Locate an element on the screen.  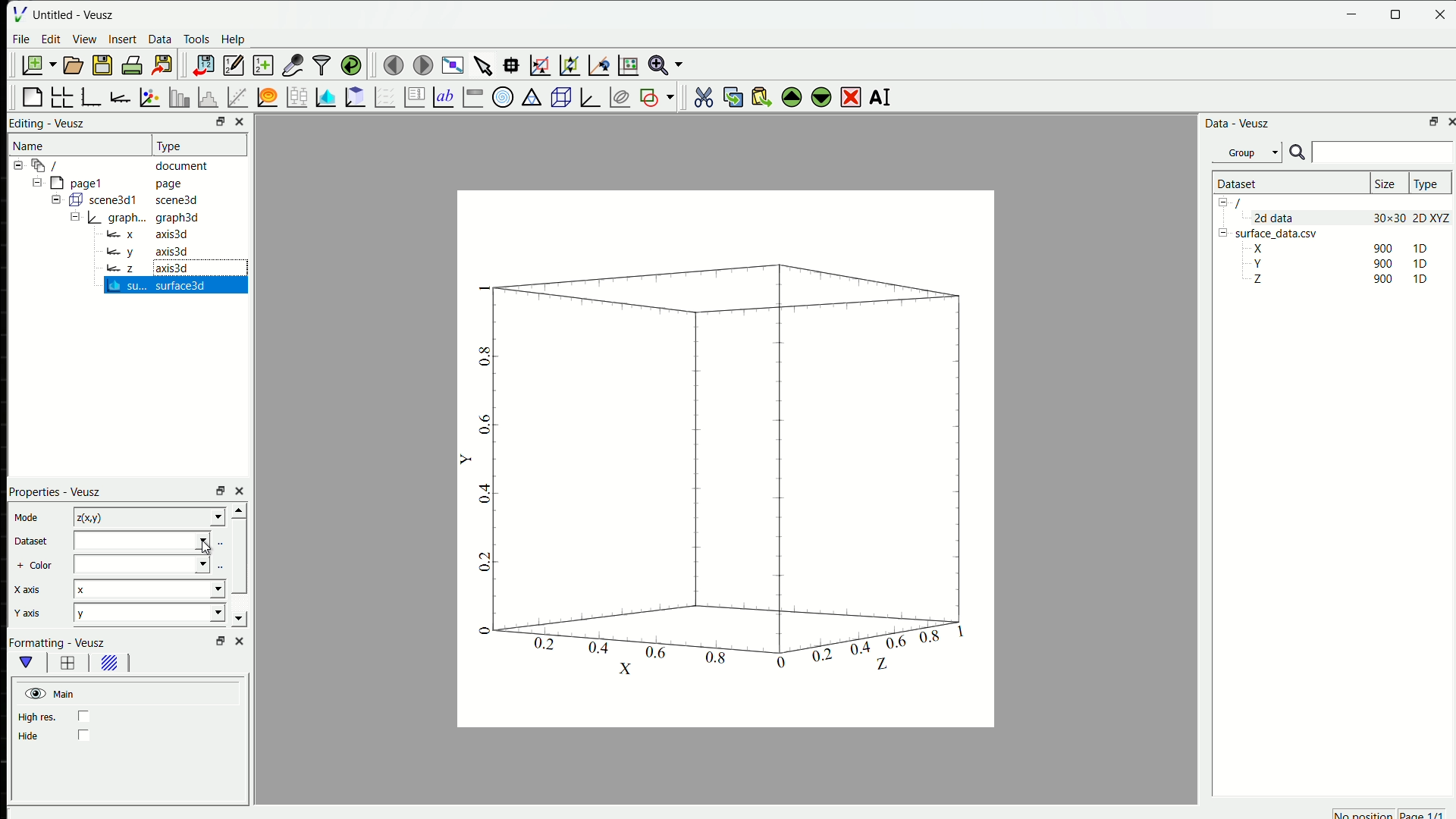
checkbox is located at coordinates (83, 734).